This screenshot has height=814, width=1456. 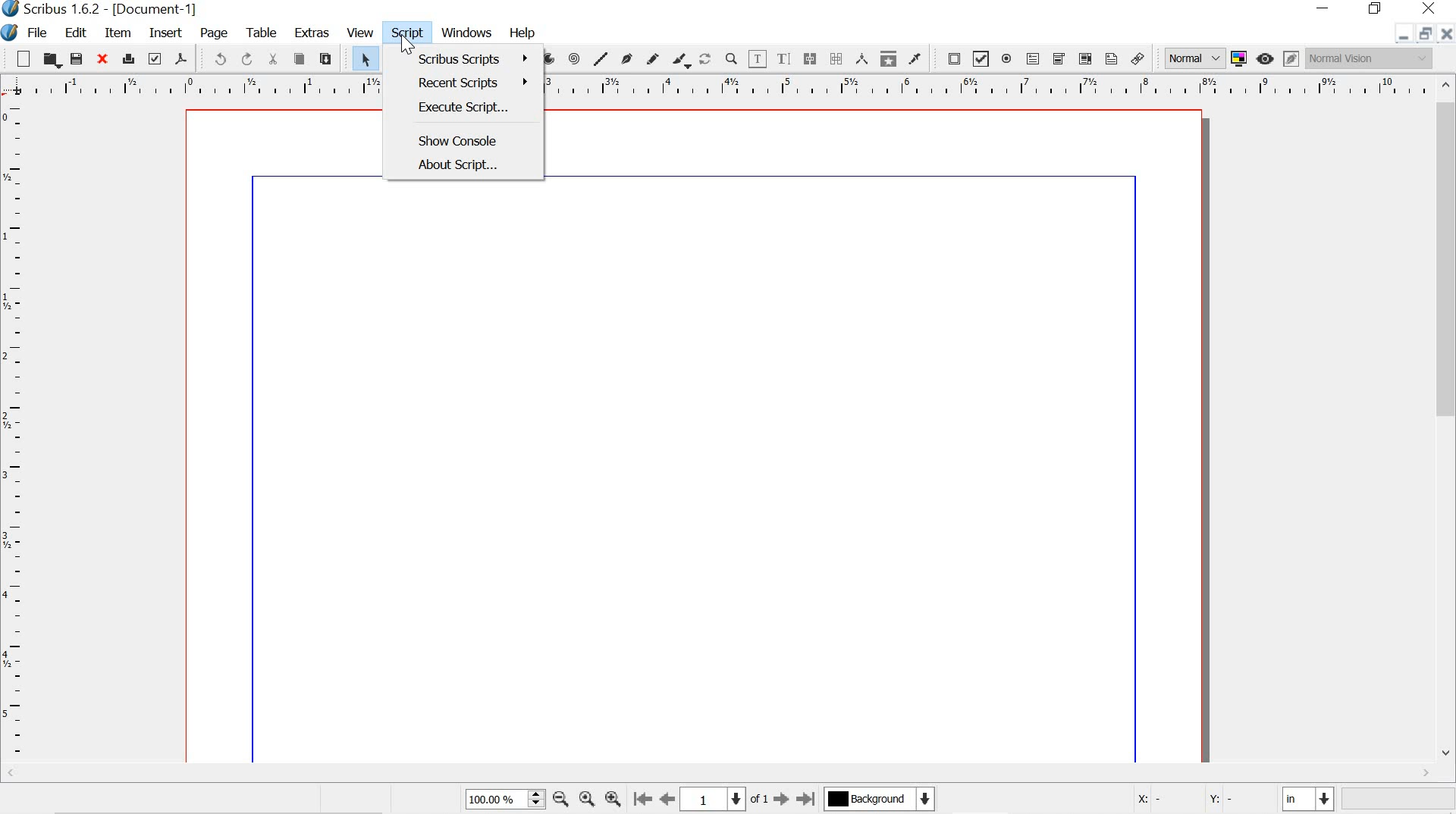 What do you see at coordinates (807, 800) in the screenshot?
I see `Last page` at bounding box center [807, 800].